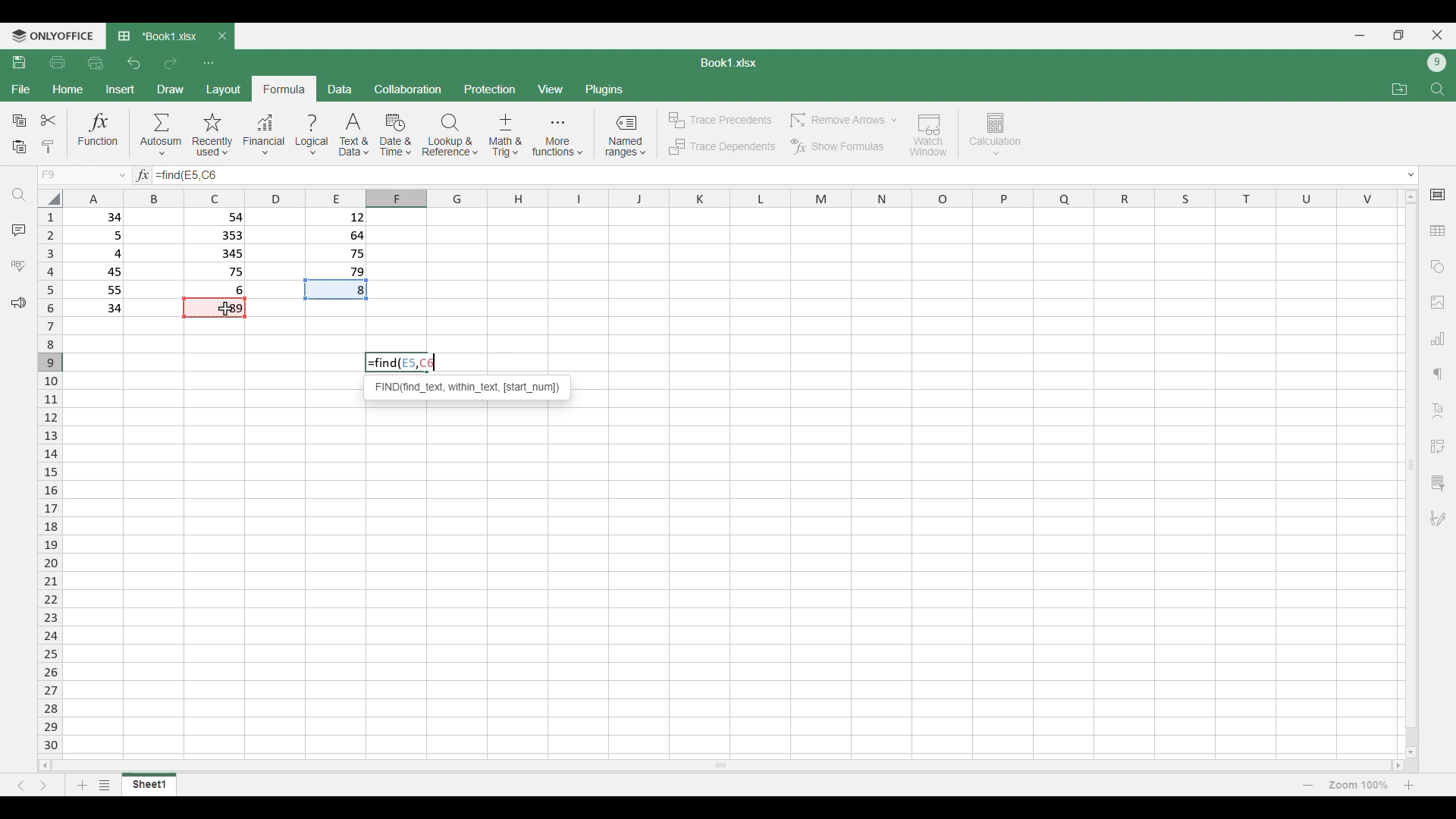 Image resolution: width=1456 pixels, height=819 pixels. I want to click on More functions, so click(557, 136).